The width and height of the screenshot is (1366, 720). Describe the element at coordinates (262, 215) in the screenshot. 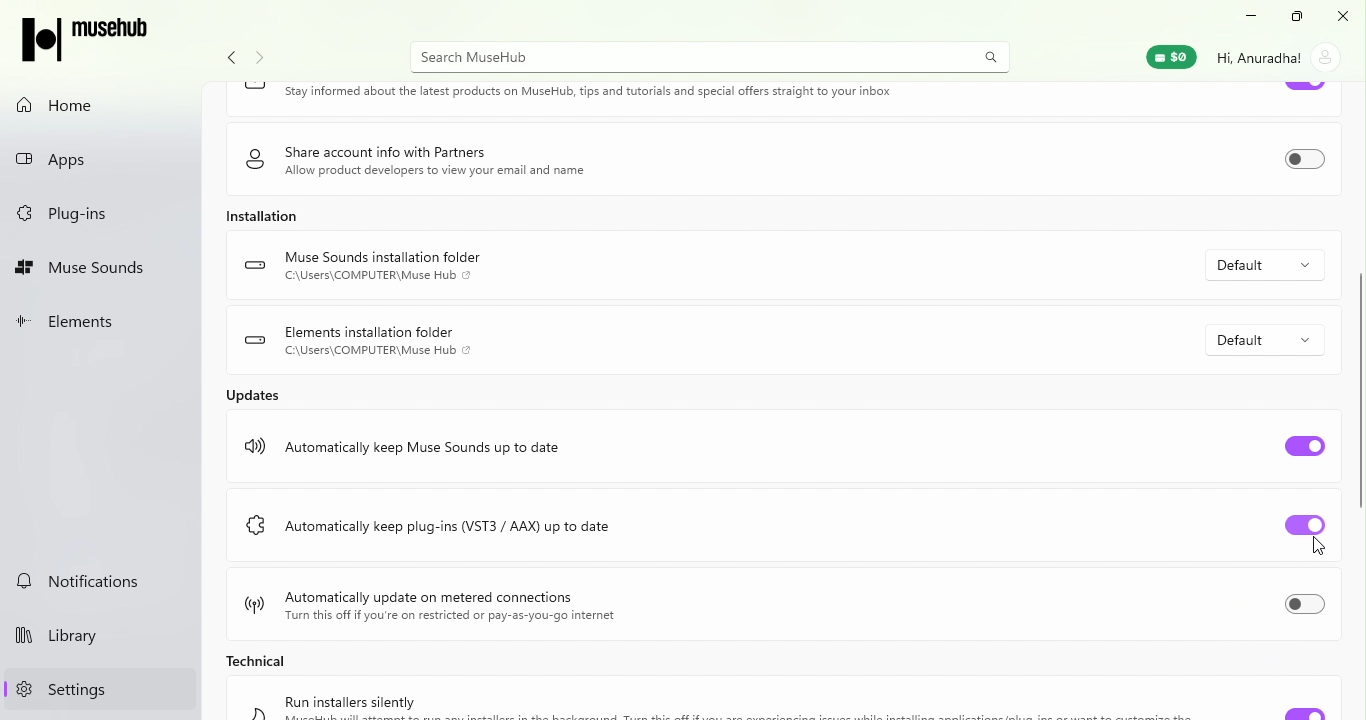

I see `Installation` at that location.